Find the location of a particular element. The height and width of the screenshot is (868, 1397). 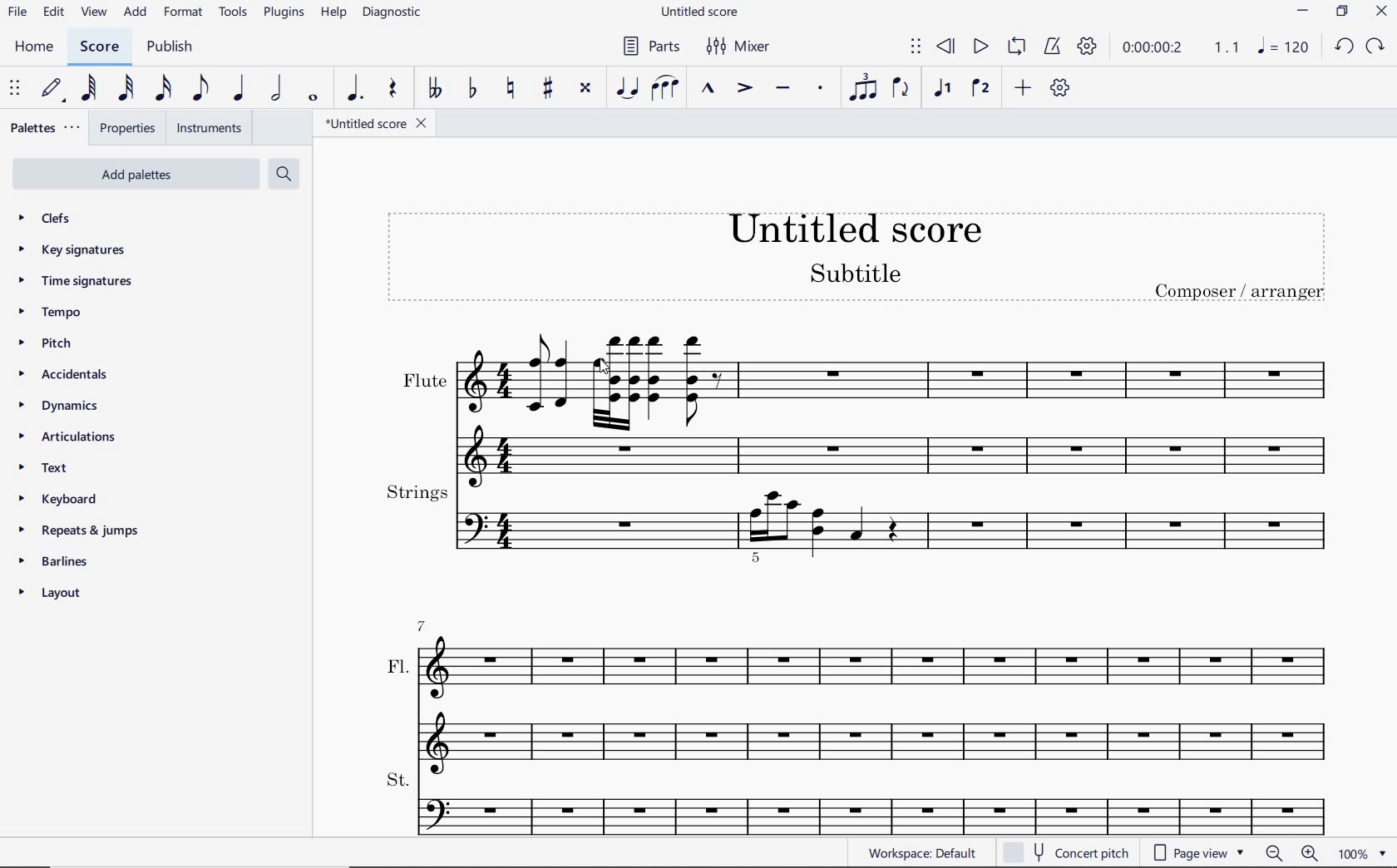

QUARTER NOTE is located at coordinates (240, 88).